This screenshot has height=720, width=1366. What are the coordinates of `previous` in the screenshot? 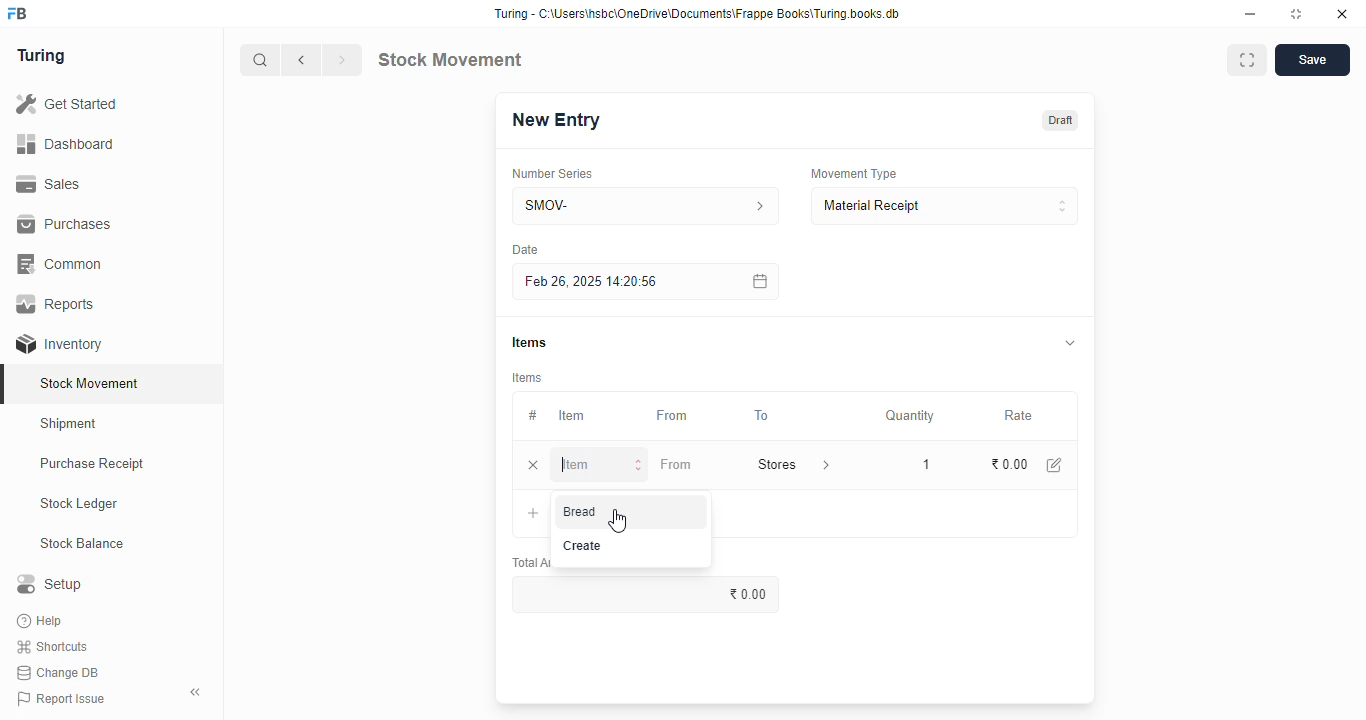 It's located at (302, 60).